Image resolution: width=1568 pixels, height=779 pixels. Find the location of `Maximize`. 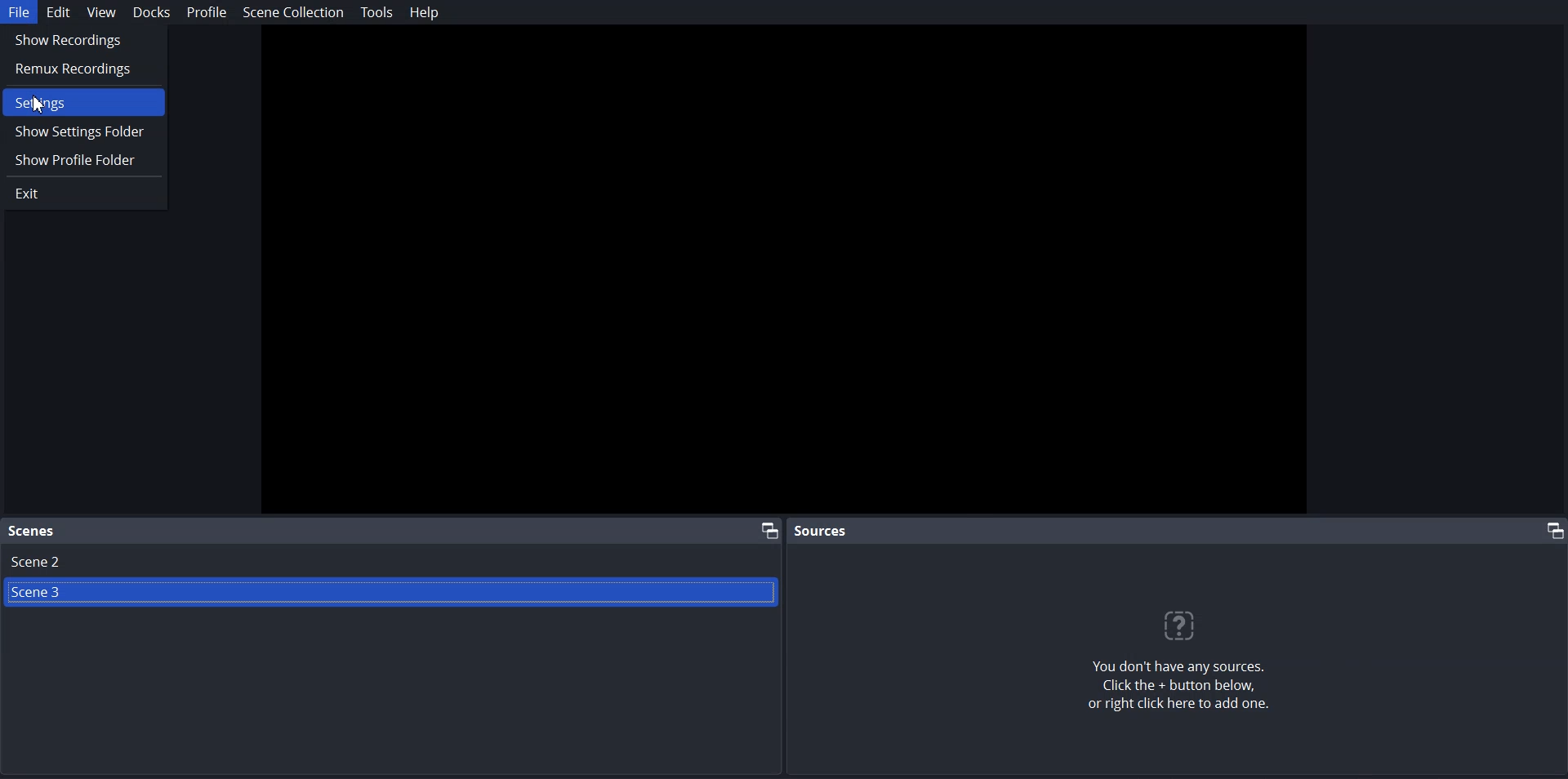

Maximize is located at coordinates (1550, 530).